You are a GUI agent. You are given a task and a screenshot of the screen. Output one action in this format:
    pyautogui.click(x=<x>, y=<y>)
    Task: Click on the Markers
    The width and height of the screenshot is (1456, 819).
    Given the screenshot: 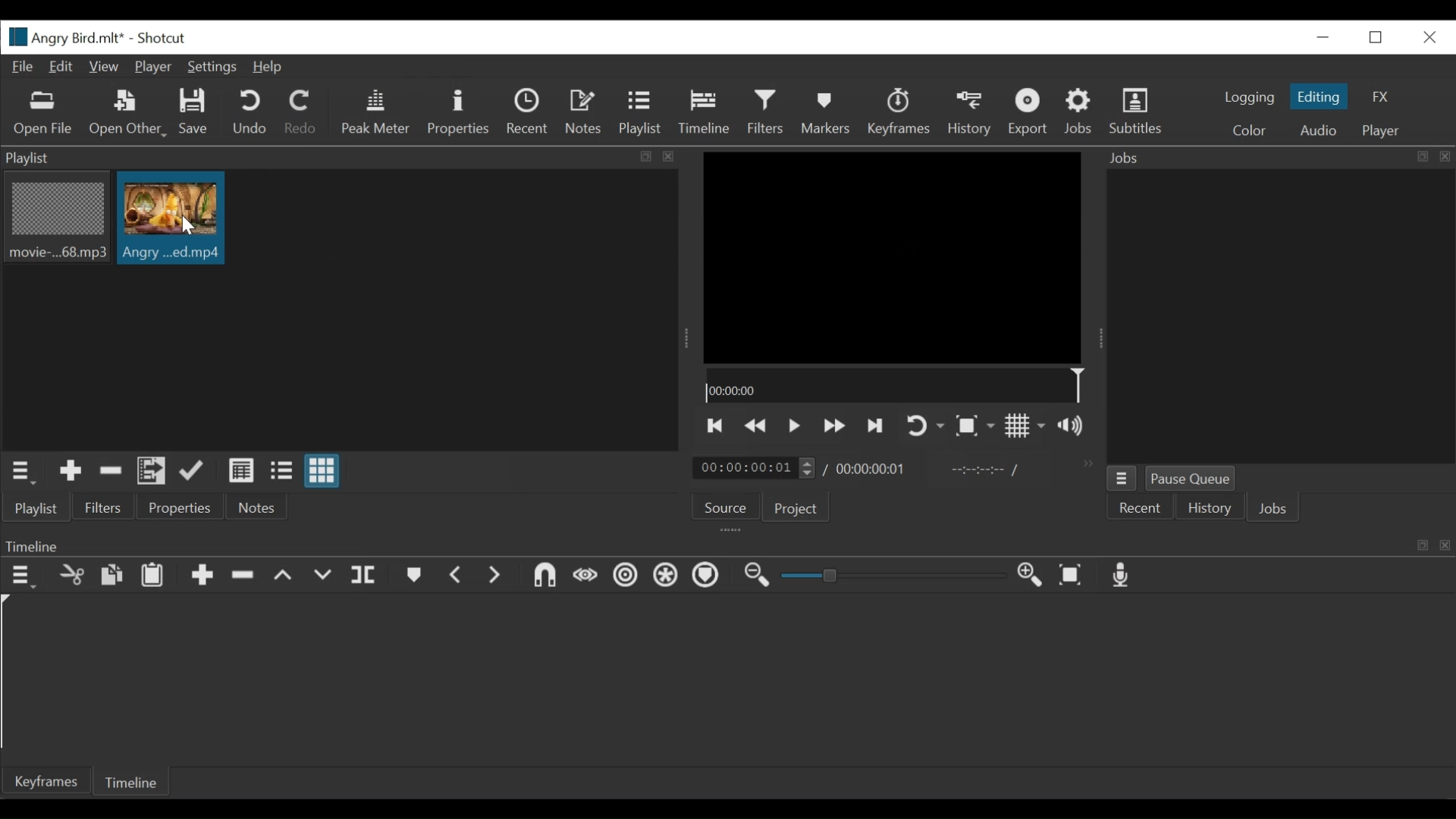 What is the action you would take?
    pyautogui.click(x=823, y=113)
    